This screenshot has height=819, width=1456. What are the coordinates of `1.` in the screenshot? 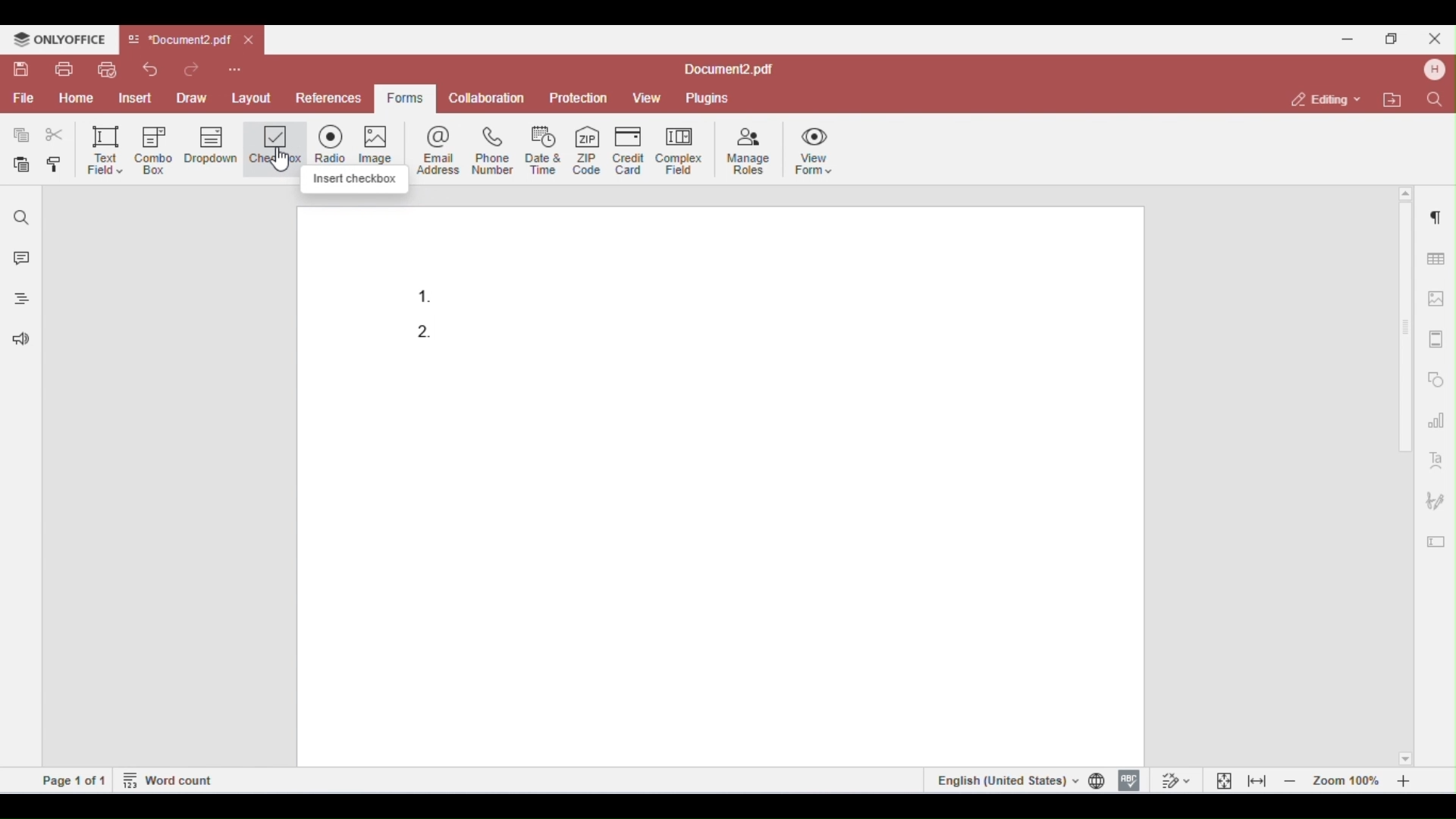 It's located at (428, 291).